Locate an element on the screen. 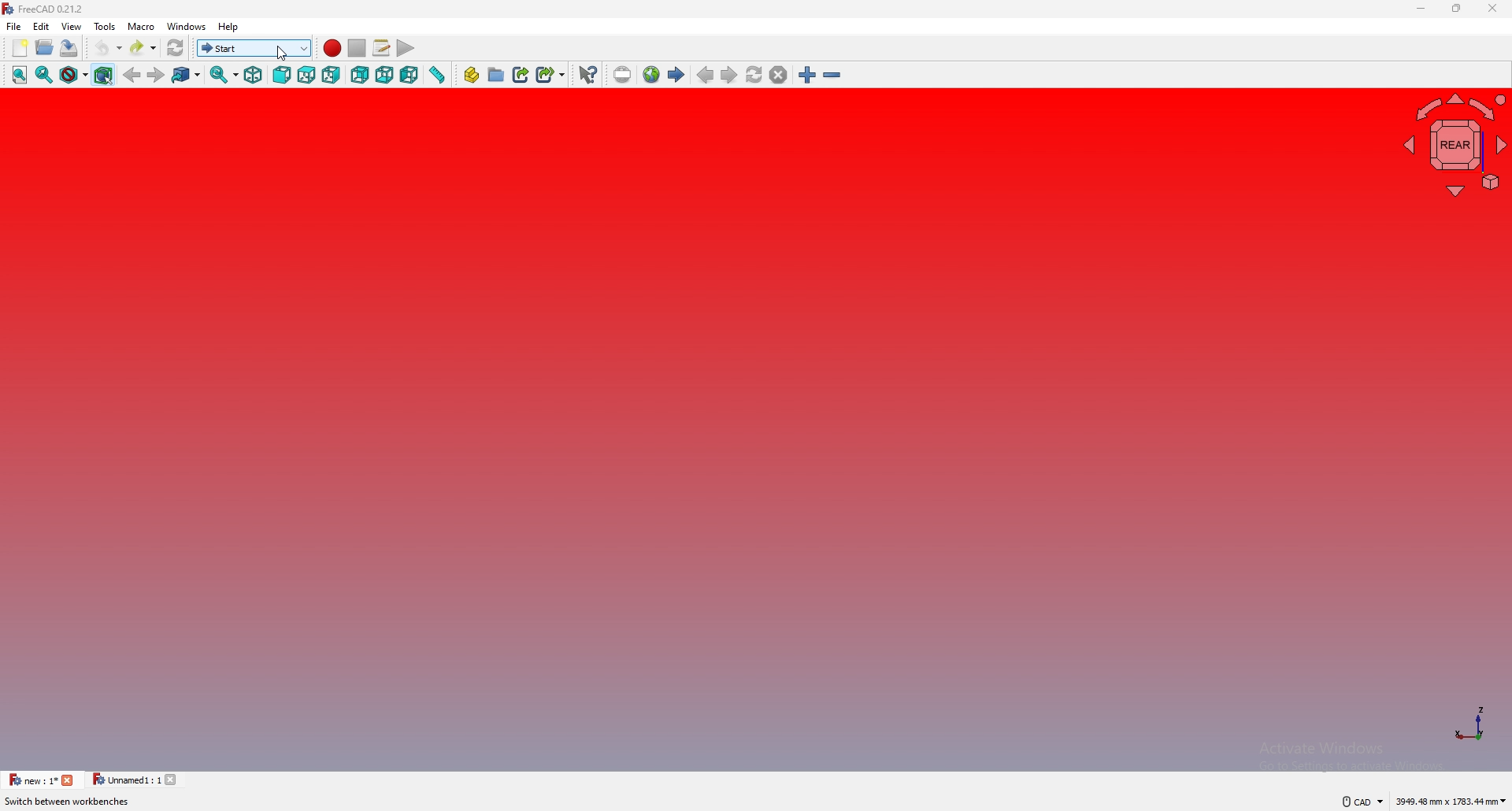  close is located at coordinates (1493, 8).